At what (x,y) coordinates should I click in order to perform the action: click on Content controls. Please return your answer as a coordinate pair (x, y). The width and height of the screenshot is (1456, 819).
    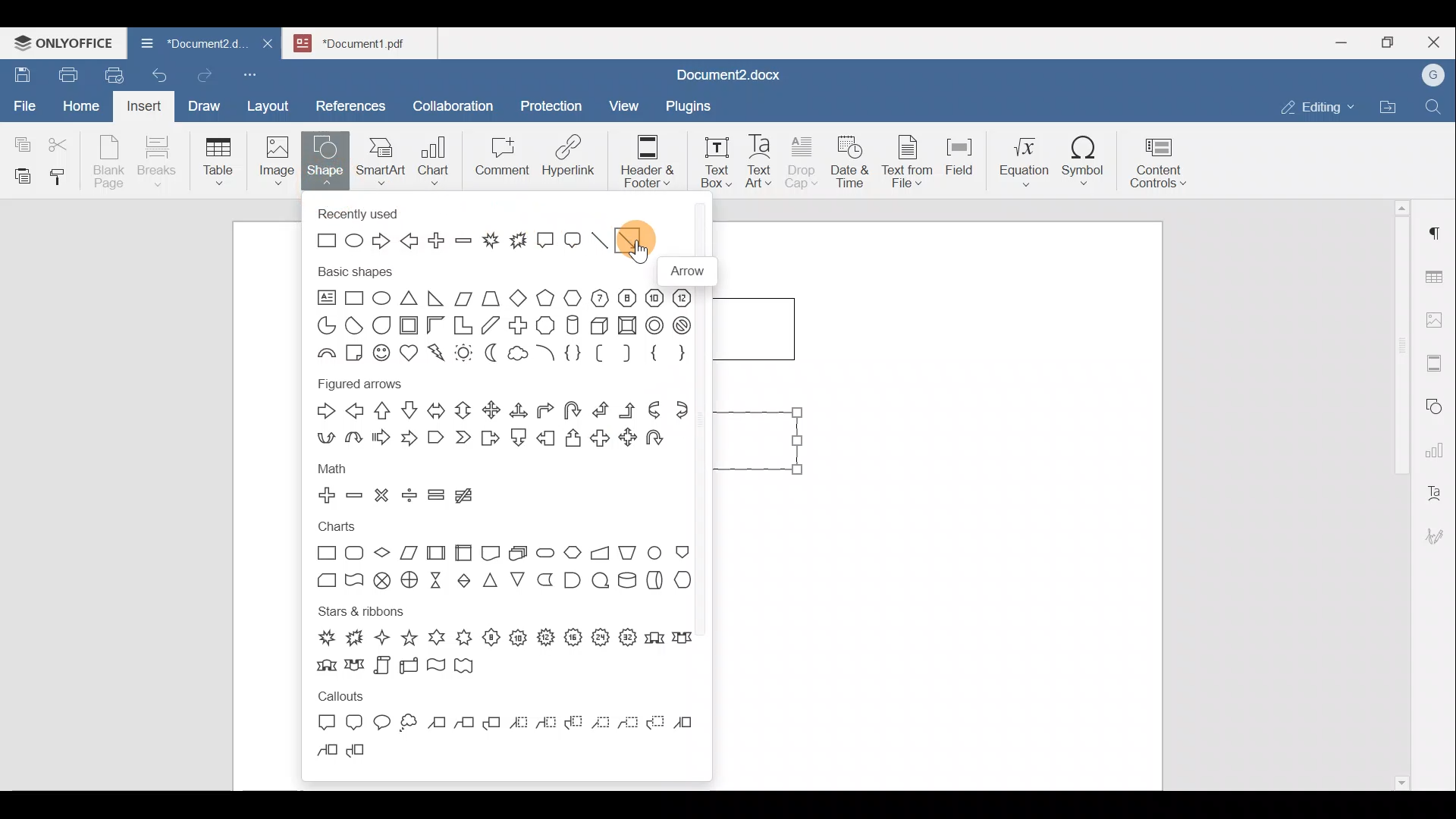
    Looking at the image, I should click on (1161, 168).